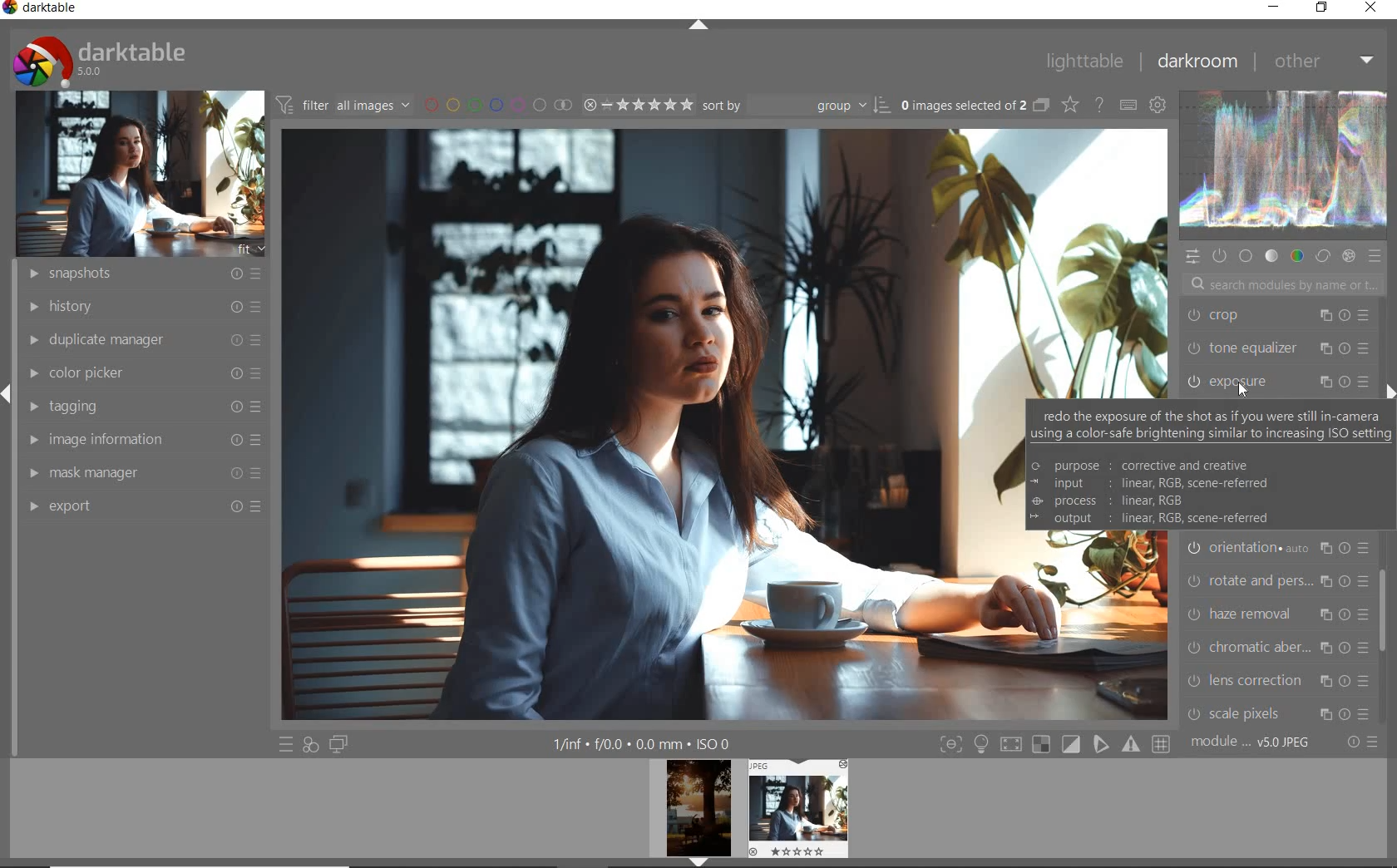 The width and height of the screenshot is (1397, 868). Describe the element at coordinates (141, 472) in the screenshot. I see `MASK MANAGER` at that location.